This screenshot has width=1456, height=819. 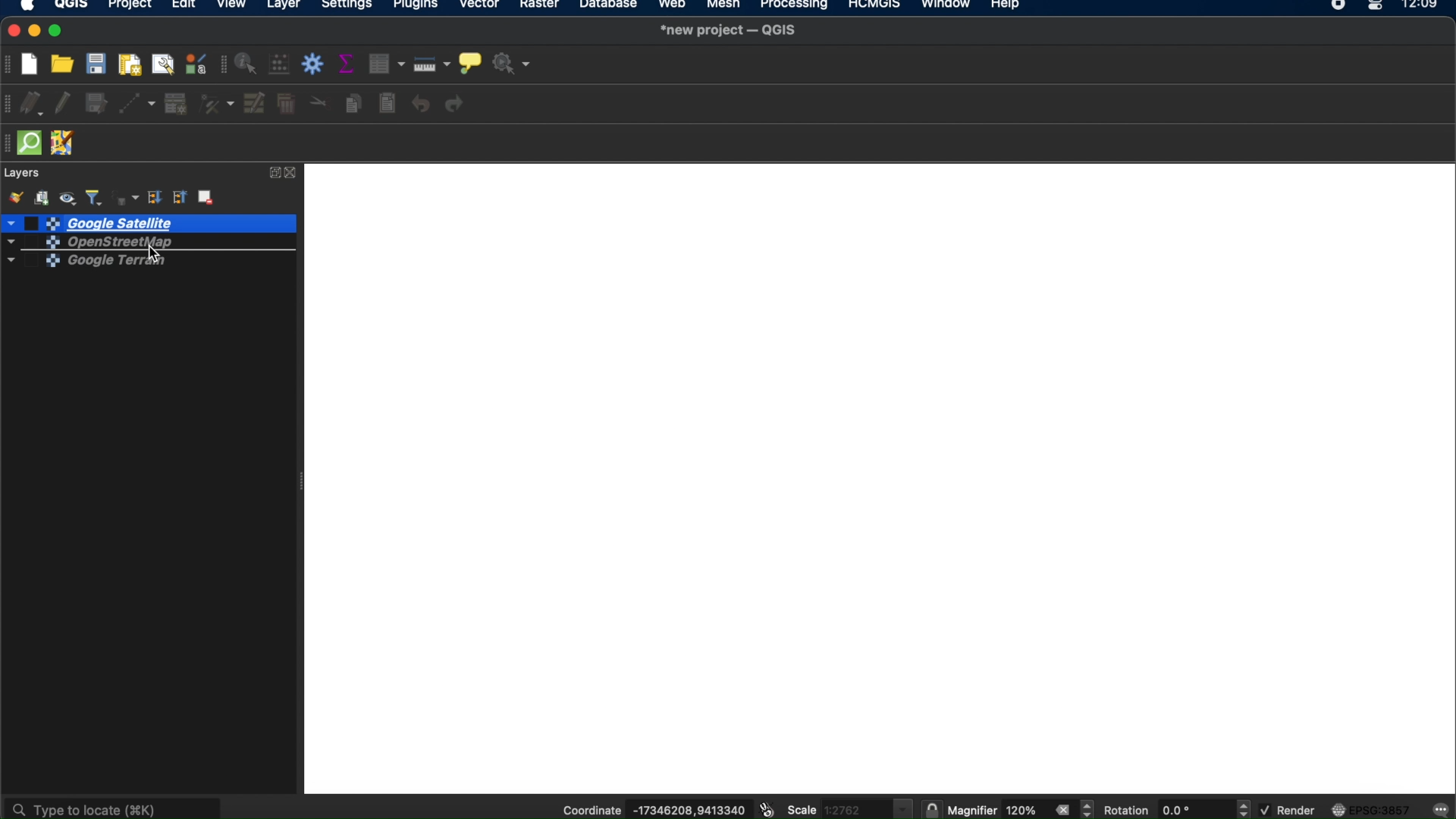 What do you see at coordinates (1062, 810) in the screenshot?
I see `close` at bounding box center [1062, 810].